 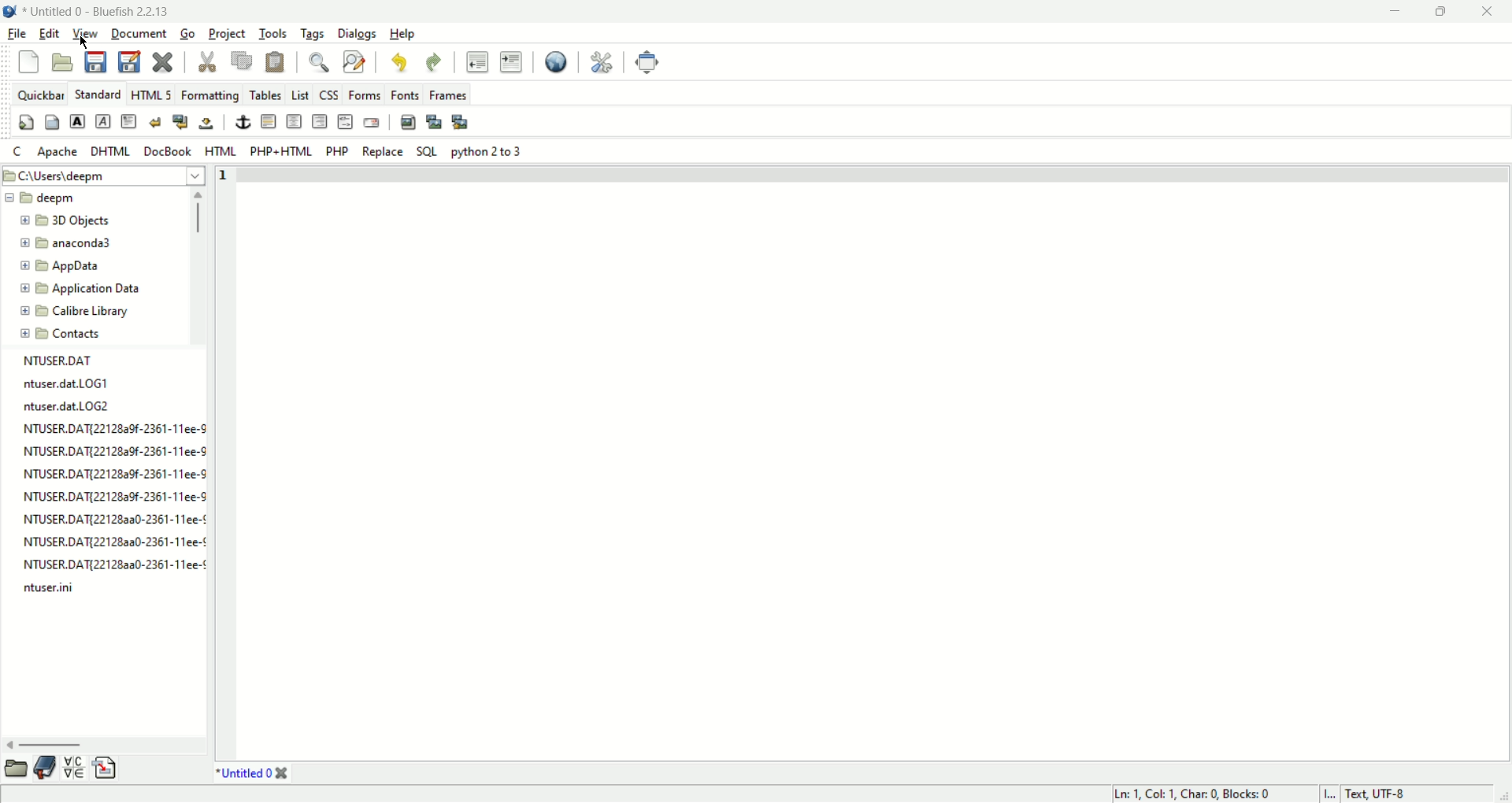 What do you see at coordinates (220, 152) in the screenshot?
I see `HTML` at bounding box center [220, 152].